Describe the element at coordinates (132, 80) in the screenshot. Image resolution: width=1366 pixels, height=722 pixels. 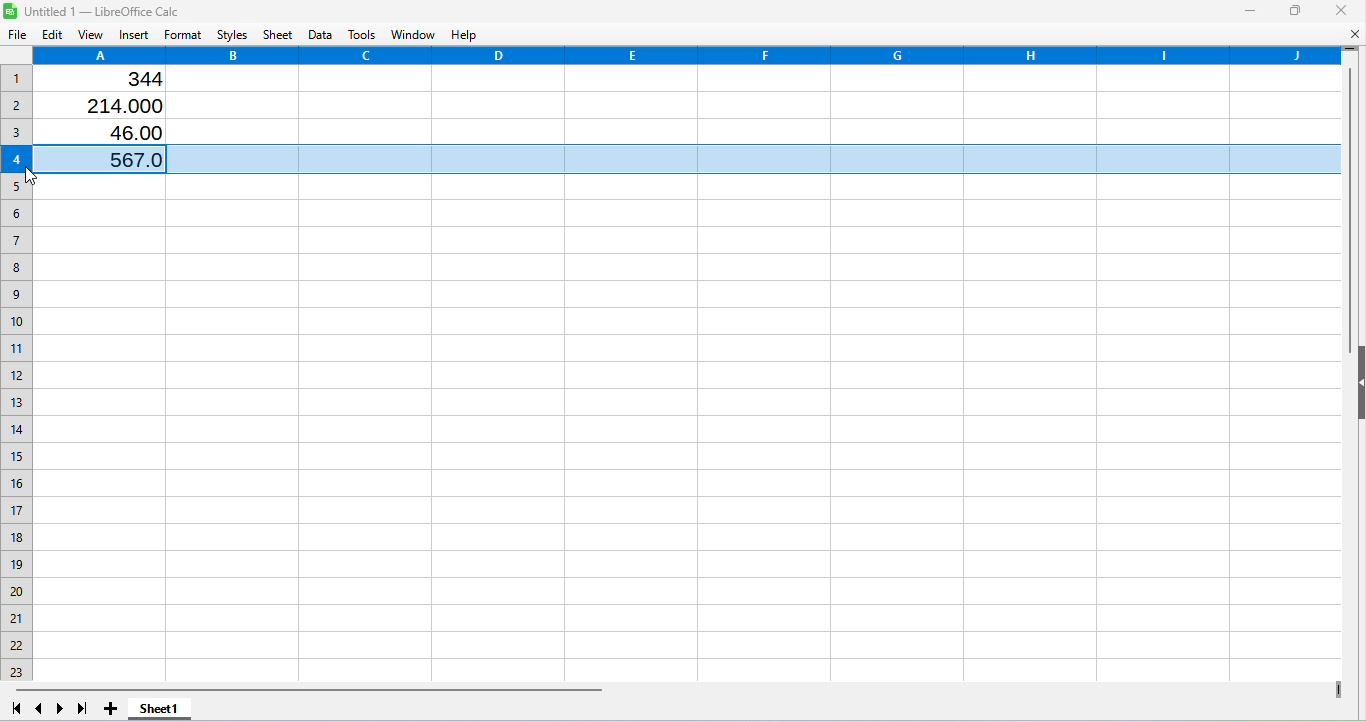
I see `344` at that location.